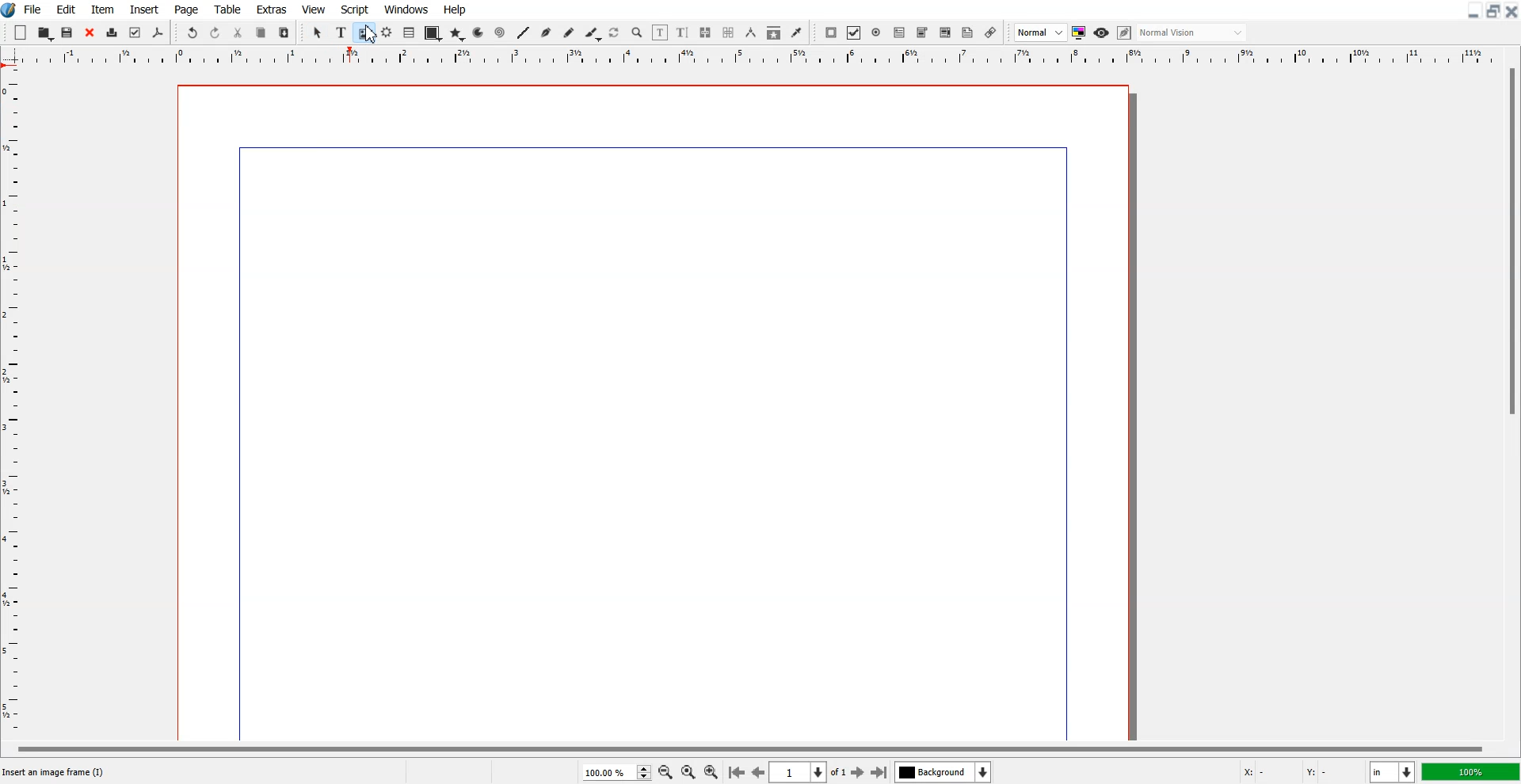 Image resolution: width=1521 pixels, height=784 pixels. I want to click on Bezier Curve, so click(546, 32).